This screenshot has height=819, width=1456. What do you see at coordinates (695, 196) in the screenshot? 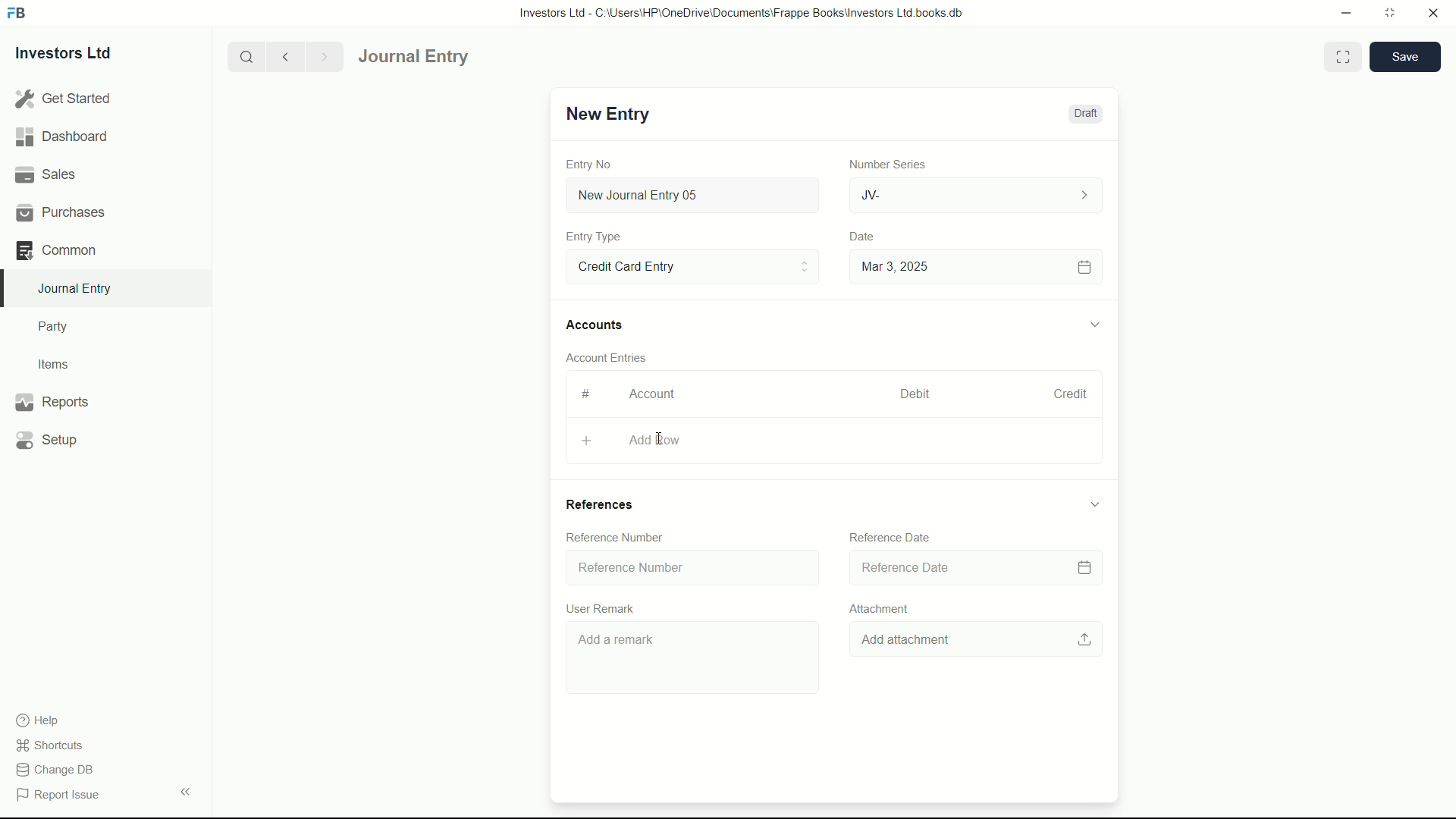
I see `New Journal Entry 05` at bounding box center [695, 196].